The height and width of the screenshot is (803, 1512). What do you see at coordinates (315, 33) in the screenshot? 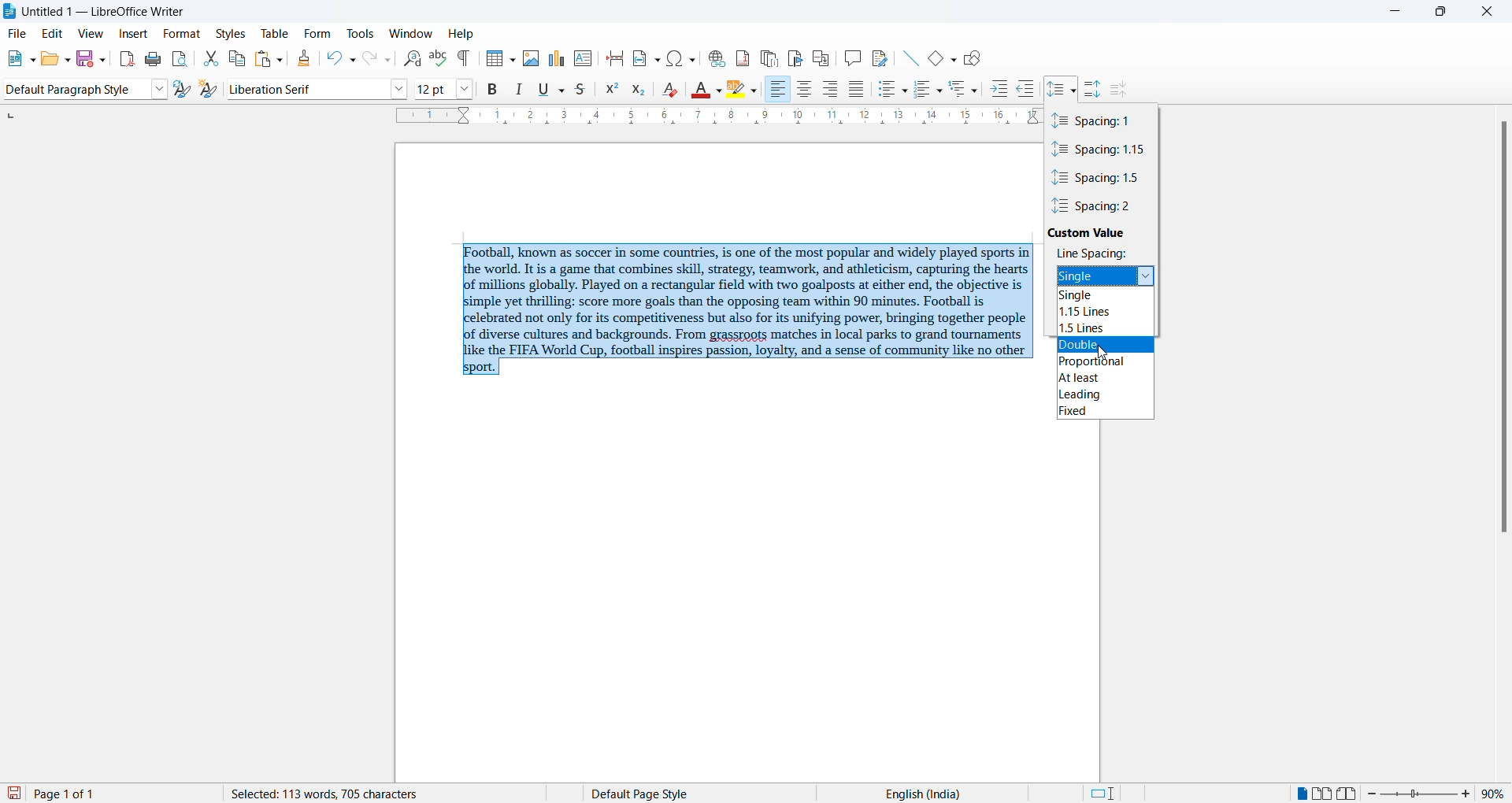
I see `form` at bounding box center [315, 33].